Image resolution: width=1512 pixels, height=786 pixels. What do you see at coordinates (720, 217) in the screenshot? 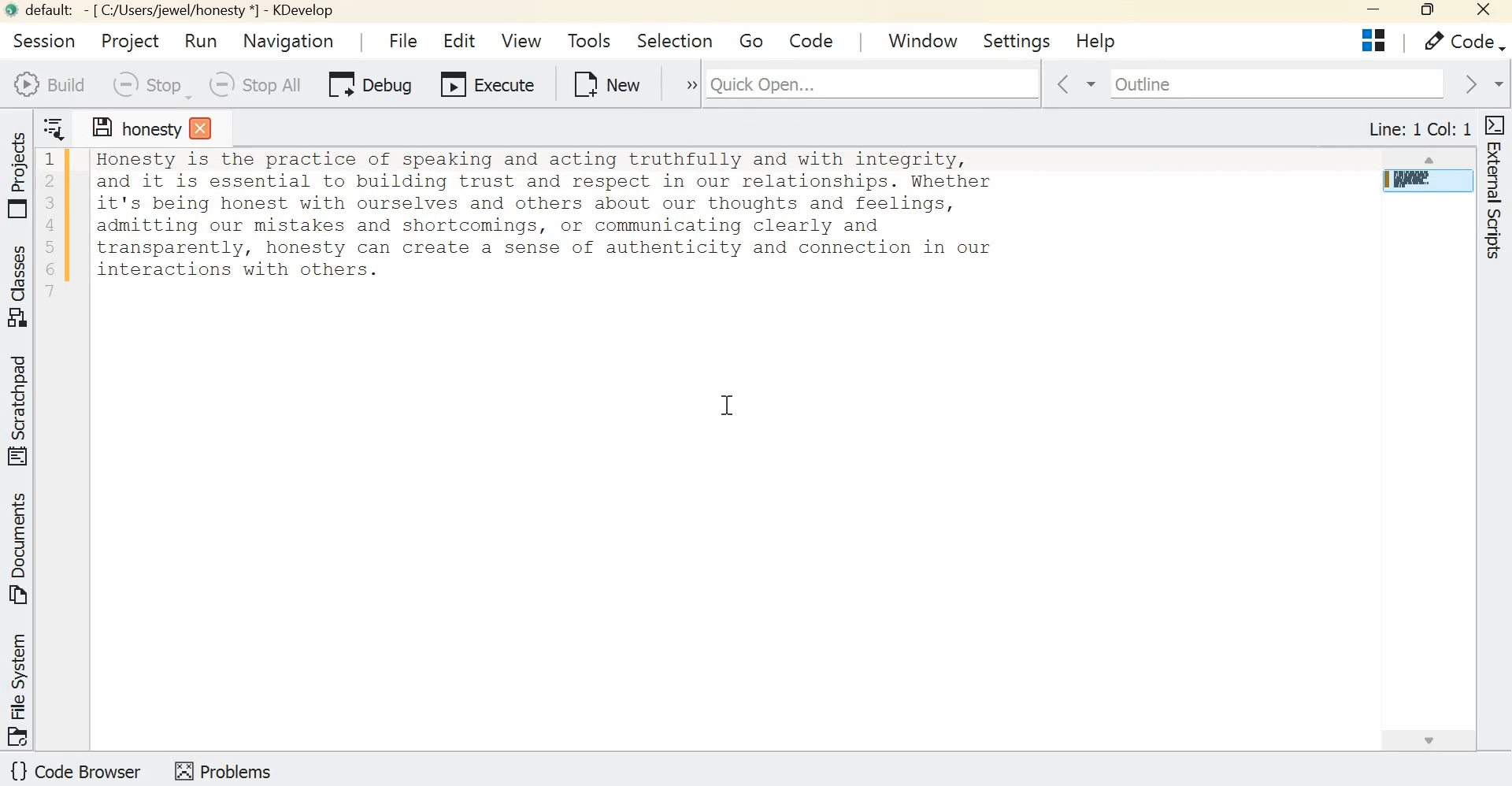
I see `Text - Honesty is the practice of speaking and acting truthfully and with integrity, and it is essential to building trust and respect in our relationships. Whether it's being honest with ourselves and others about our thoughts and feelings, adnitting our mistakes and shortcomings, or communicating clearly and transparently, honesty can create a sense of authenticity and connection in our interactions with others.` at bounding box center [720, 217].